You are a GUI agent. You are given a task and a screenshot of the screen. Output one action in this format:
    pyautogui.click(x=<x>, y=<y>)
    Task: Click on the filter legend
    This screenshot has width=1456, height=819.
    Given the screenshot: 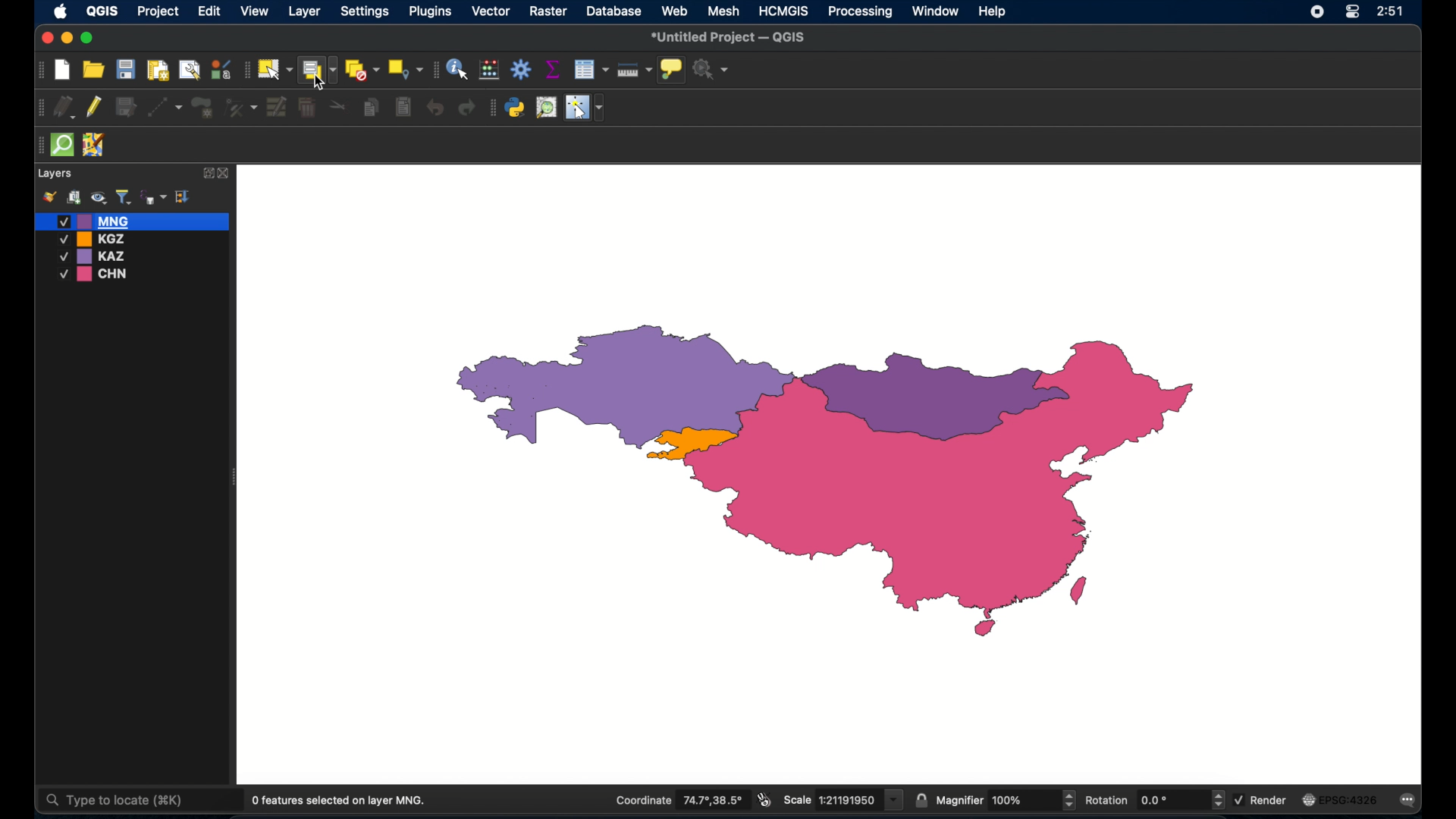 What is the action you would take?
    pyautogui.click(x=123, y=197)
    